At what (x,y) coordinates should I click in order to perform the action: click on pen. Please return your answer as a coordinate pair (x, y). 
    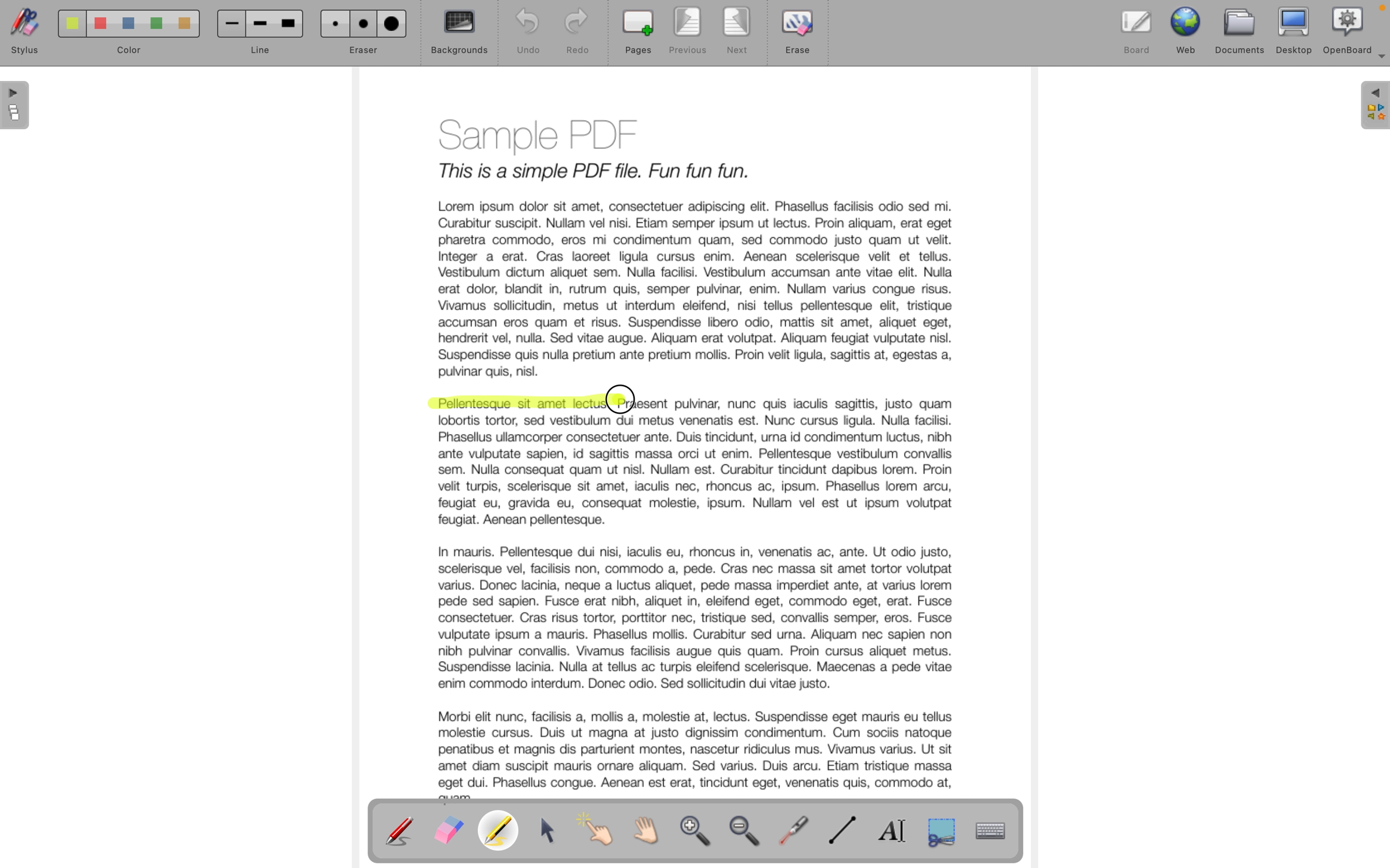
    Looking at the image, I should click on (400, 830).